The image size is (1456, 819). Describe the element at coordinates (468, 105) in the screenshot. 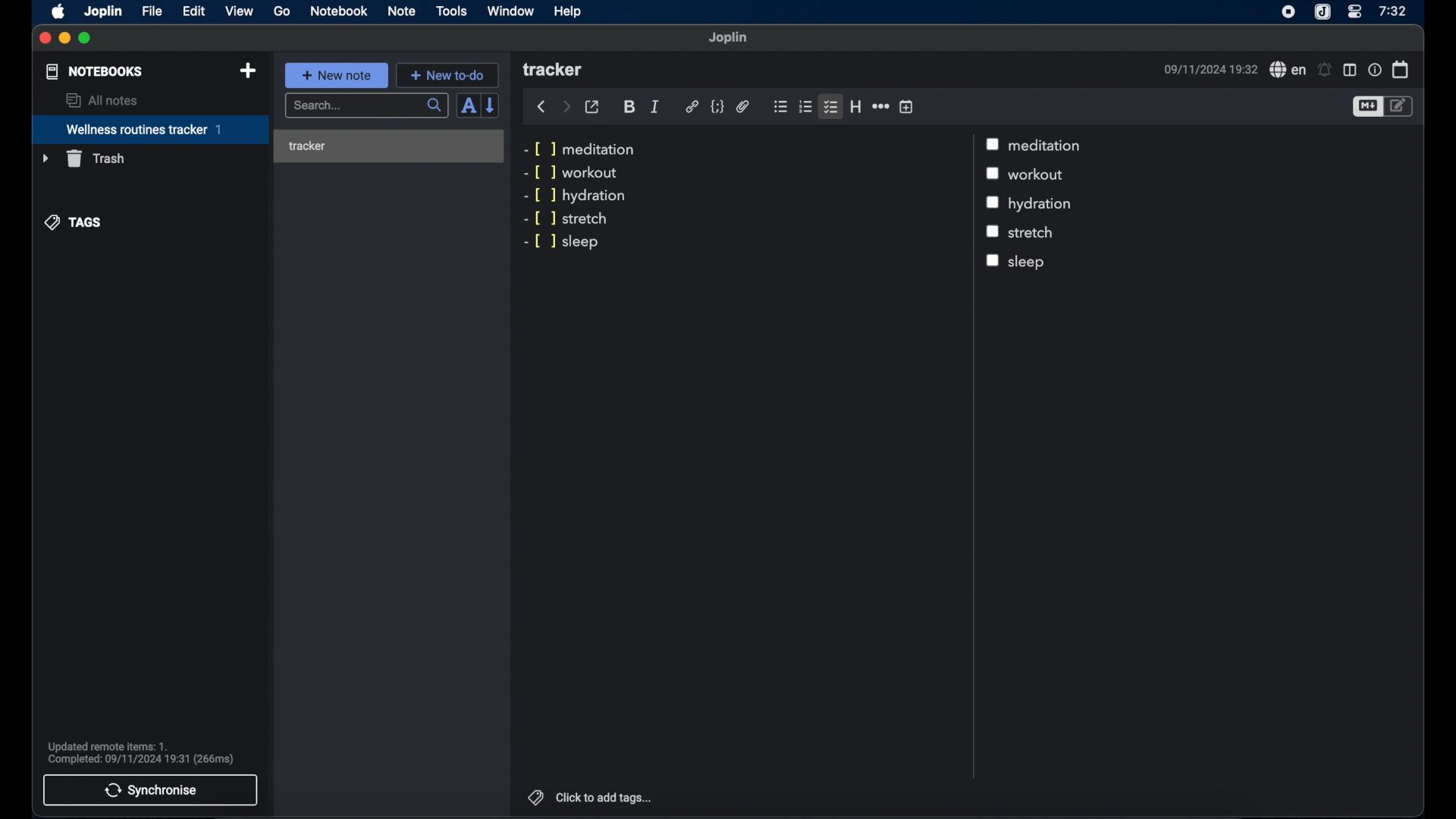

I see `toggle sort order field` at that location.